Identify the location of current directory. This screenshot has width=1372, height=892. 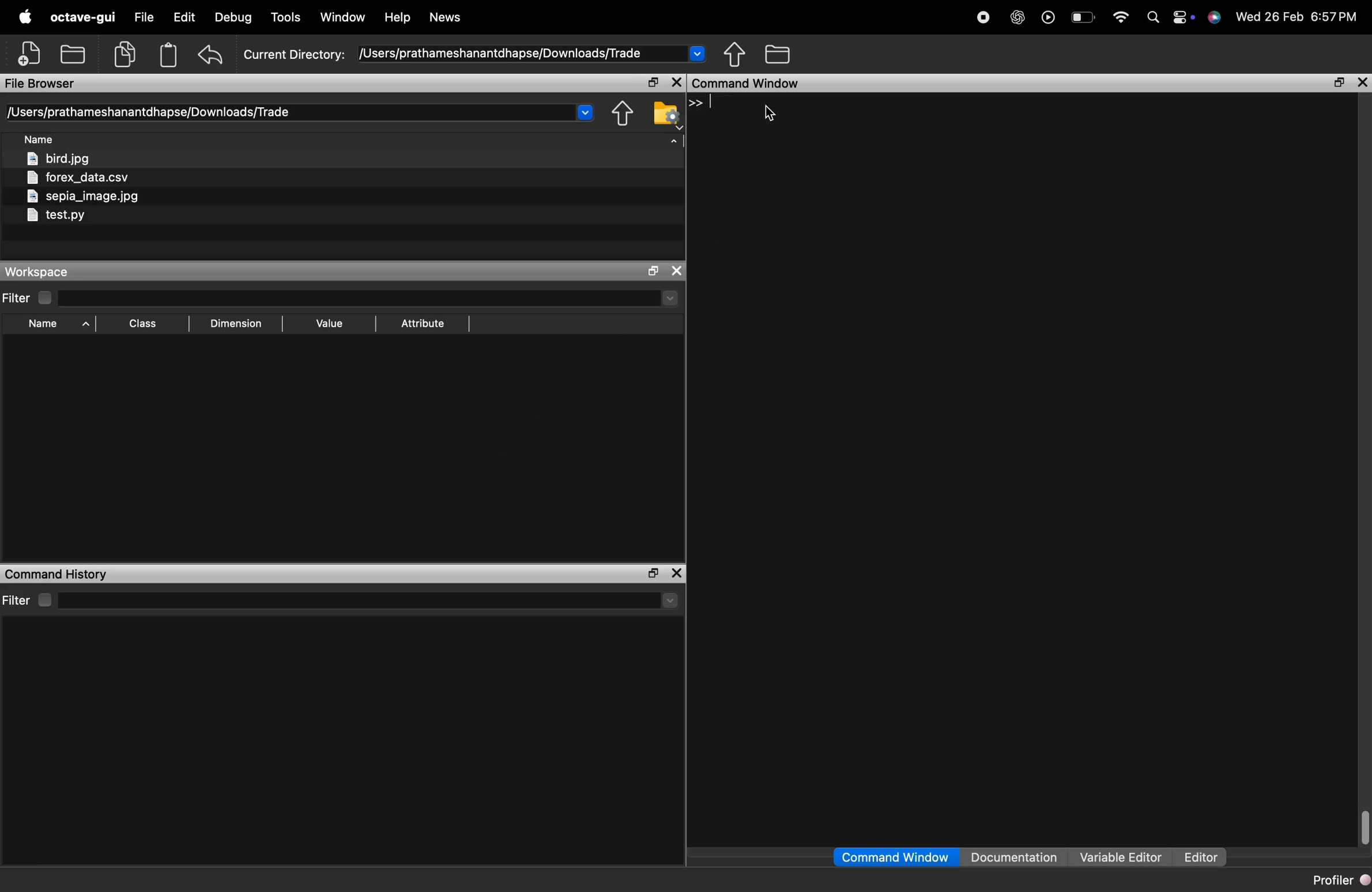
(473, 54).